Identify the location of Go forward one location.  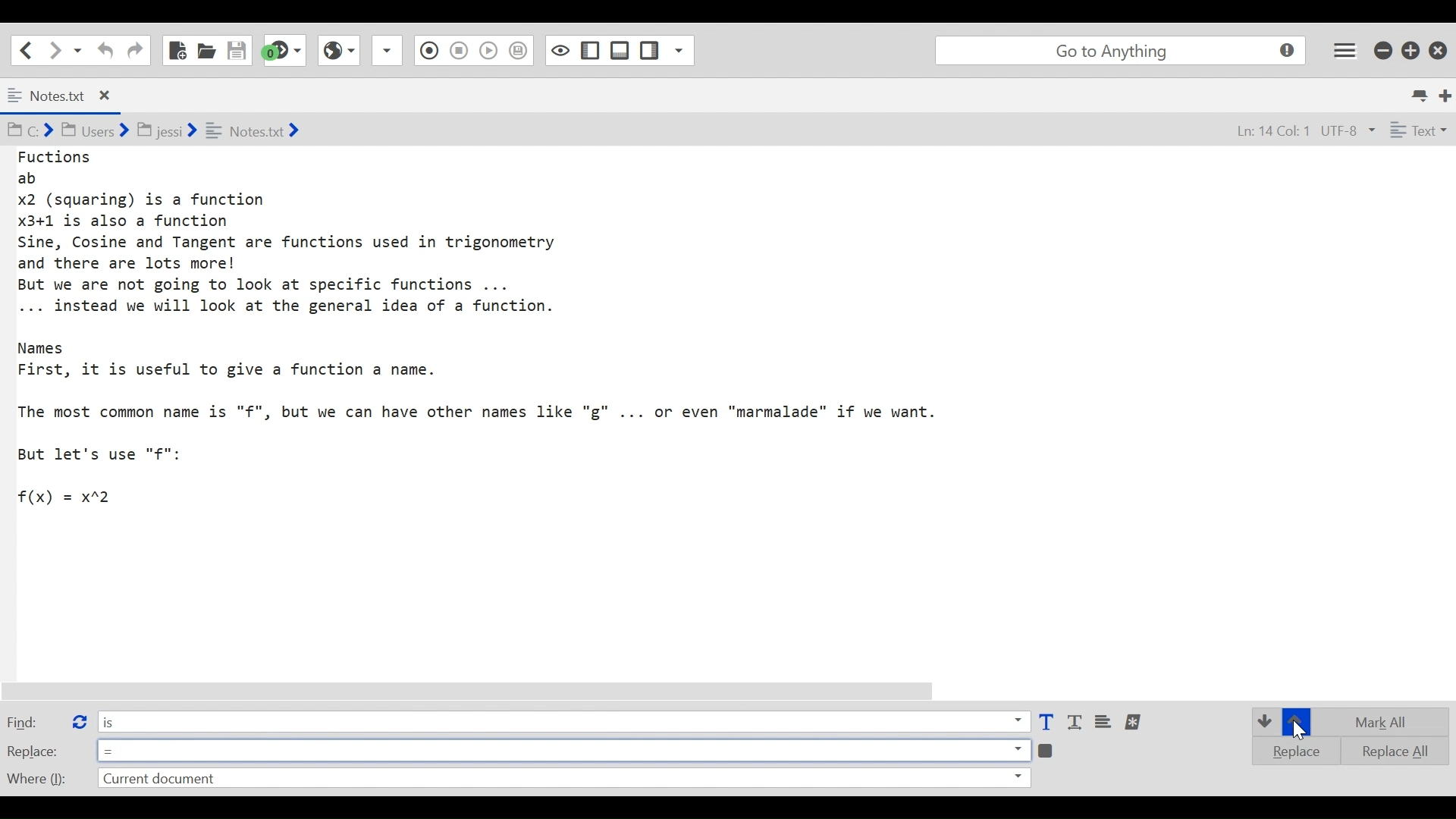
(56, 49).